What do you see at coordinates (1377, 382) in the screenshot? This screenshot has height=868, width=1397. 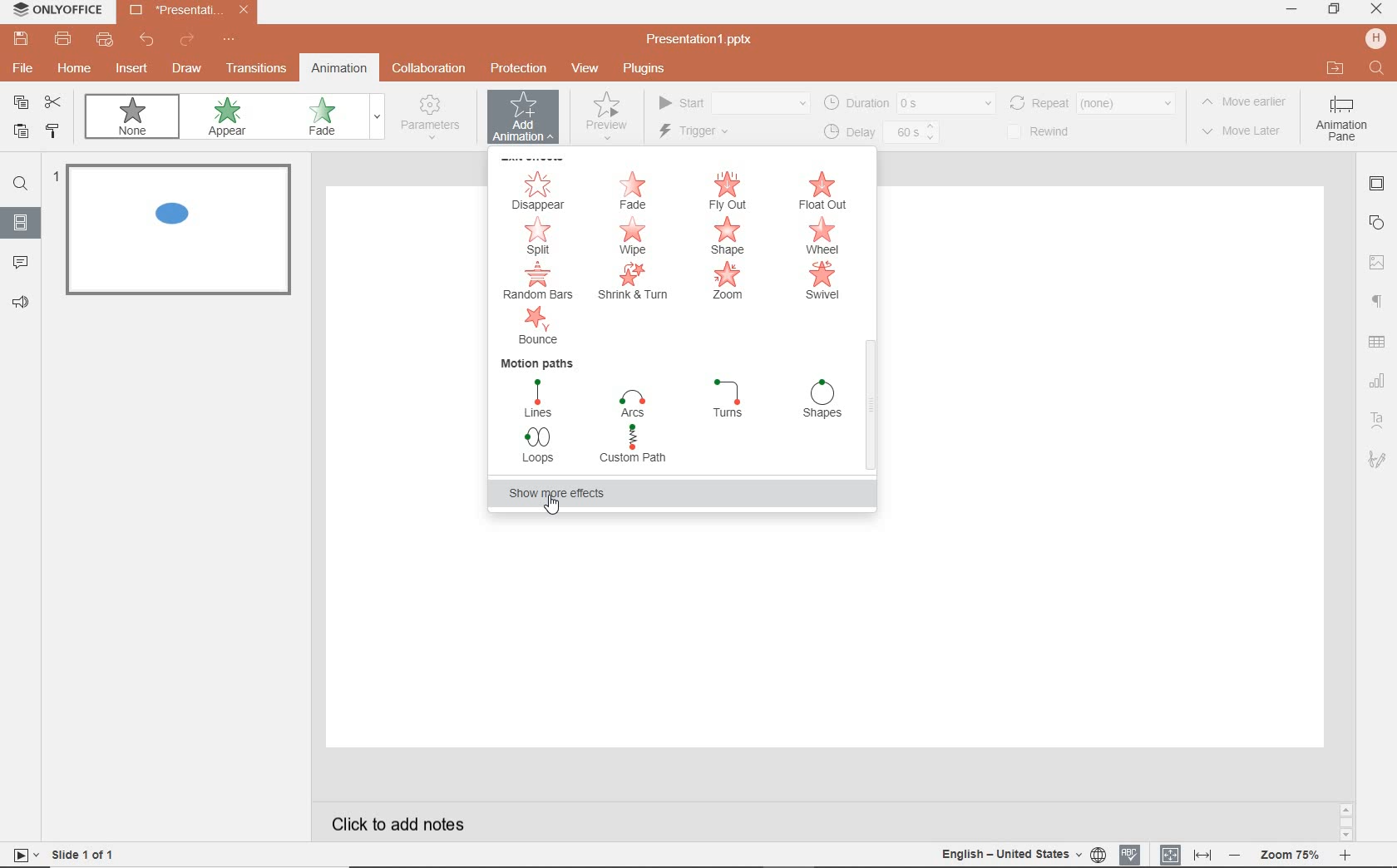 I see `chart settings` at bounding box center [1377, 382].